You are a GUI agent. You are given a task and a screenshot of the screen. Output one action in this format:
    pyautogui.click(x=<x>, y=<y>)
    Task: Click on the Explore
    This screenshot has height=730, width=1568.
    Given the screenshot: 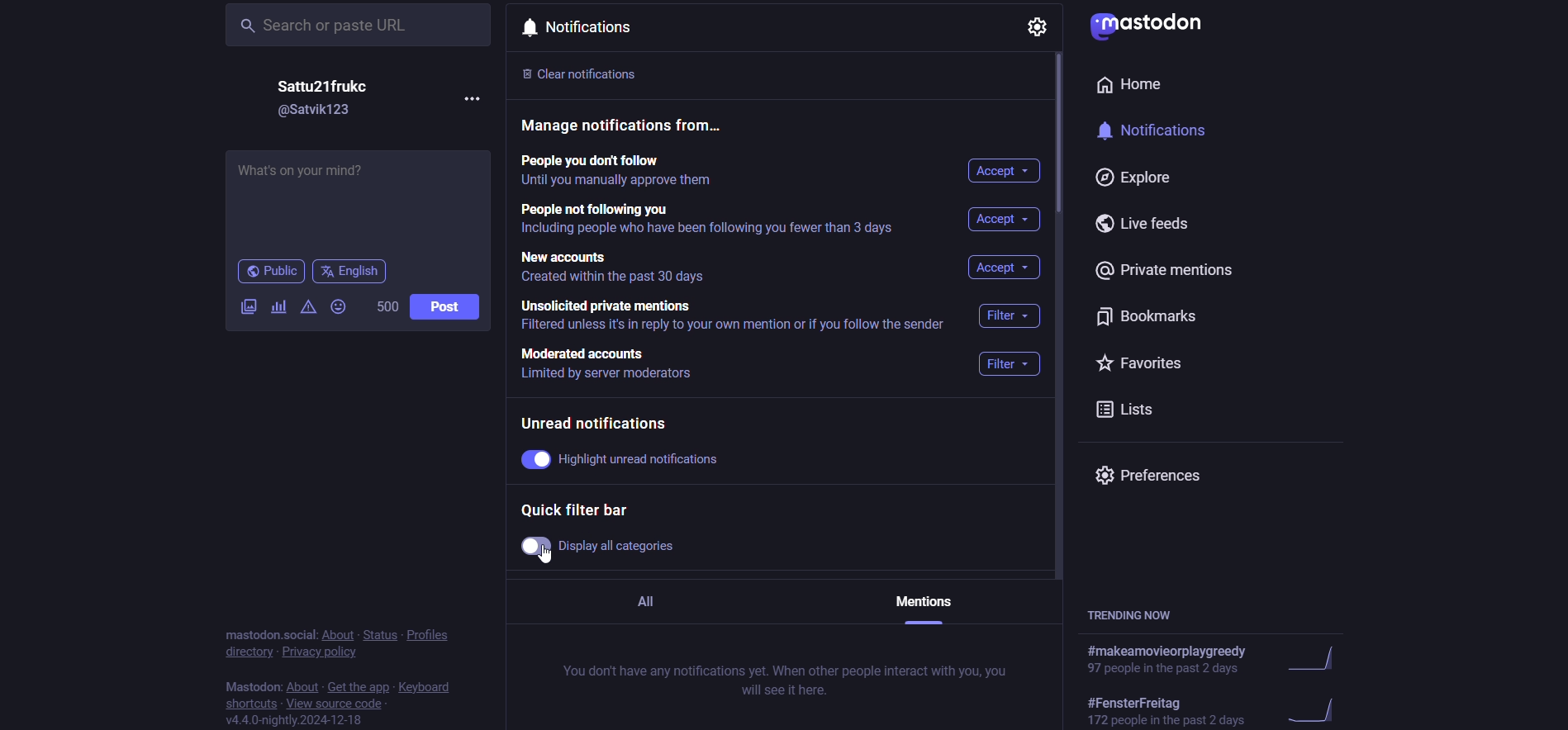 What is the action you would take?
    pyautogui.click(x=1133, y=178)
    